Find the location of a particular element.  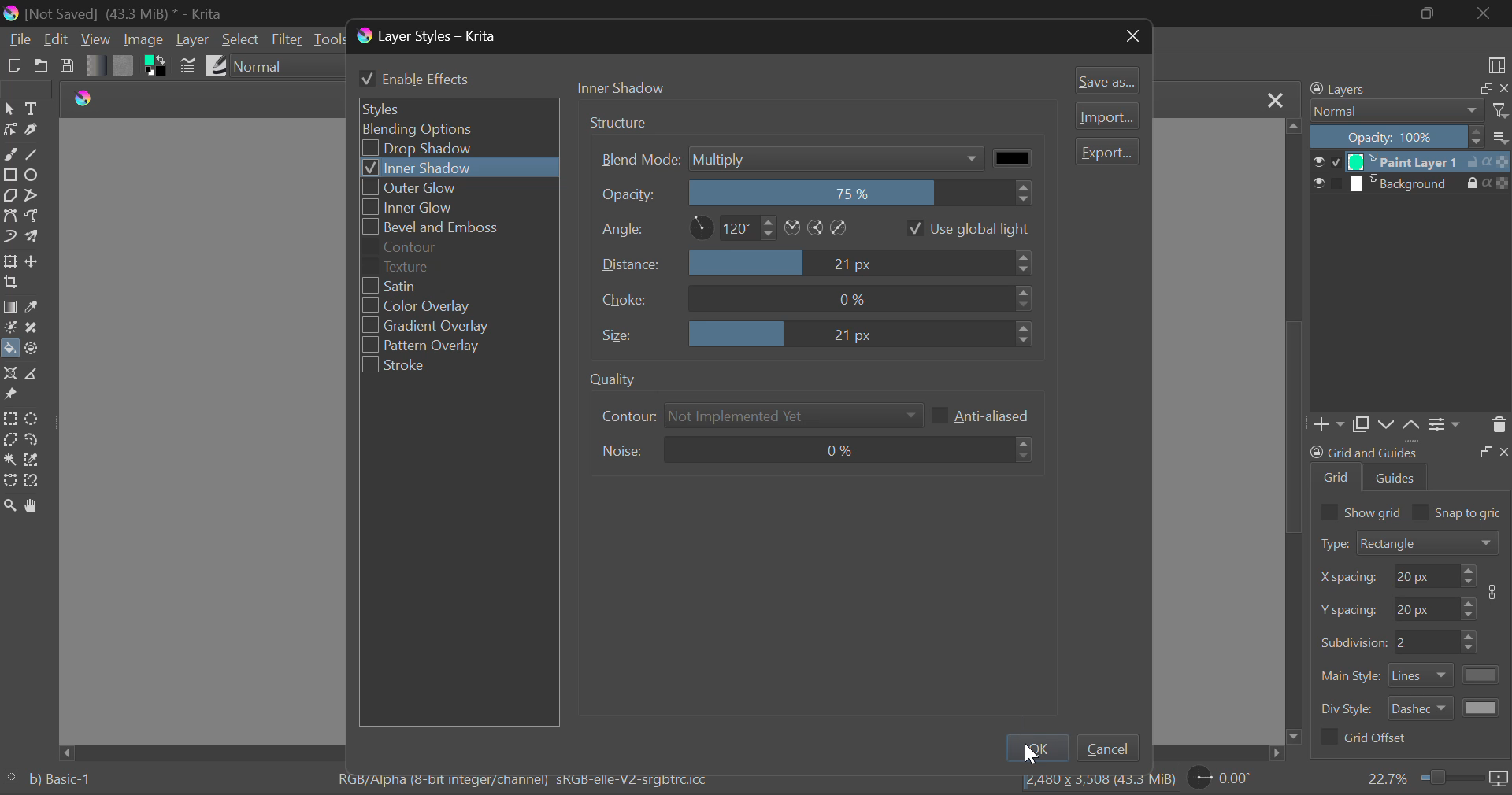

Restore Down is located at coordinates (1375, 13).